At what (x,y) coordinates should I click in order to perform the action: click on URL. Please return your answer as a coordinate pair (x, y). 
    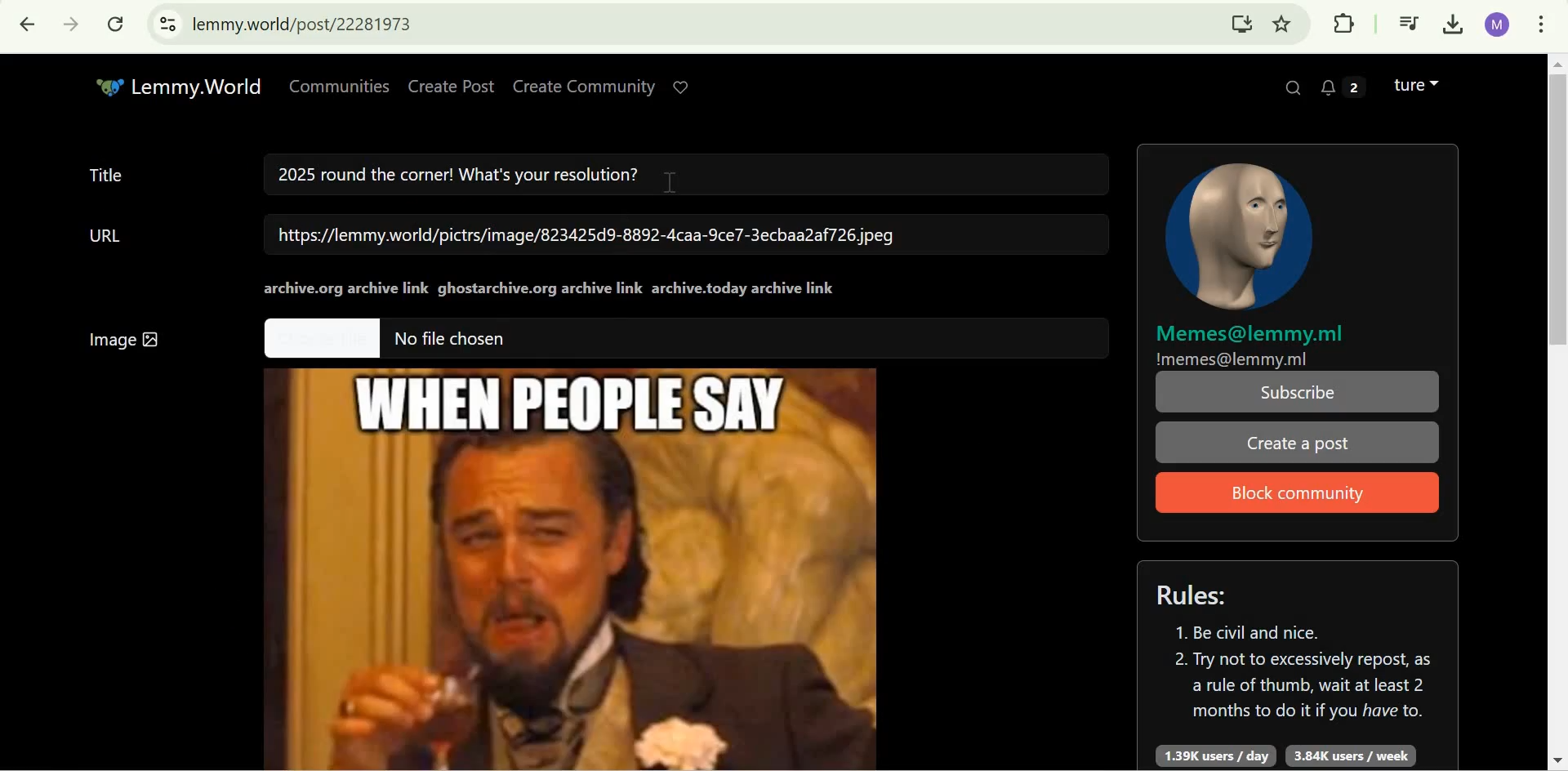
    Looking at the image, I should click on (106, 235).